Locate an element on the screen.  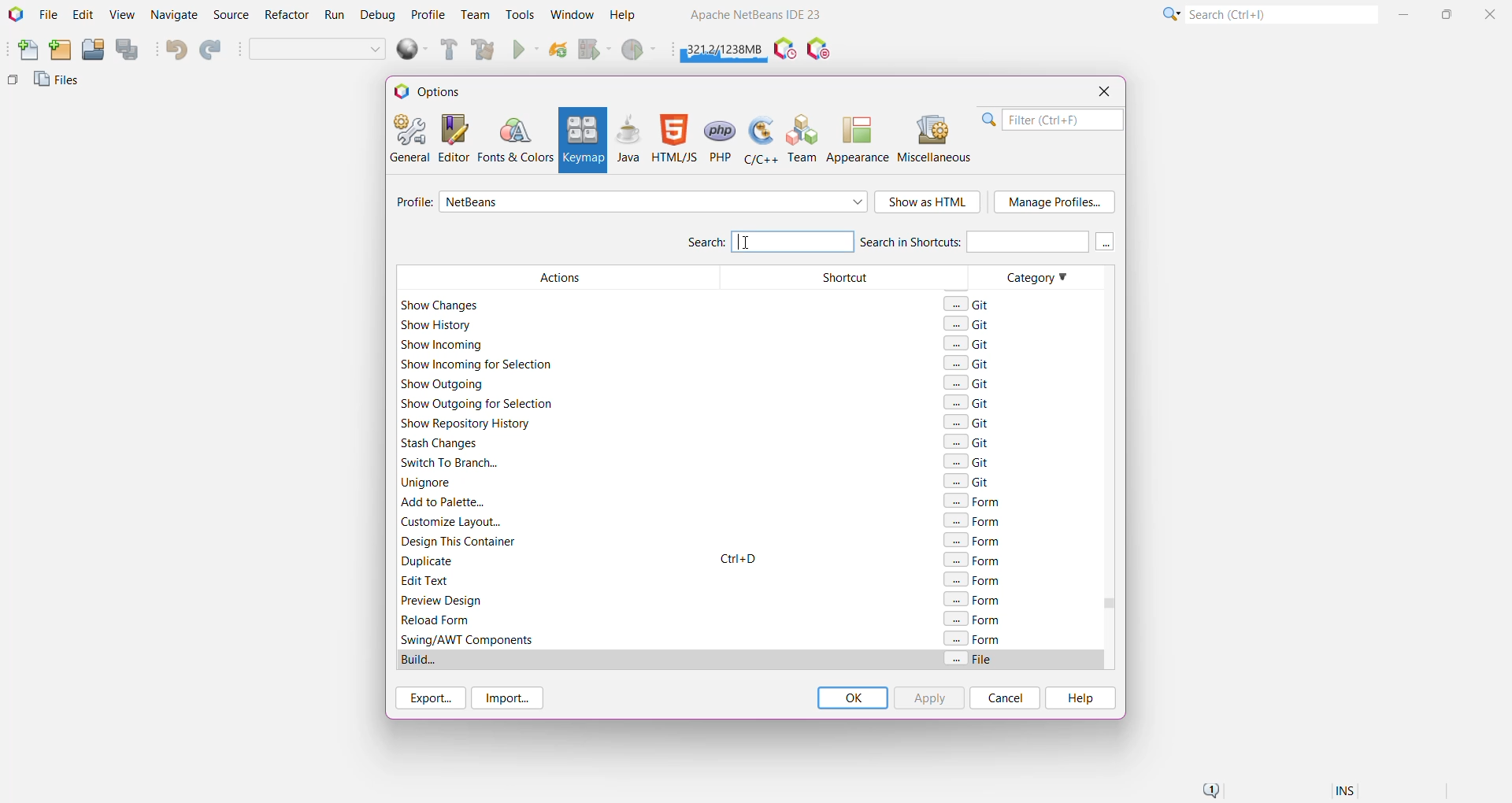
Source is located at coordinates (233, 15).